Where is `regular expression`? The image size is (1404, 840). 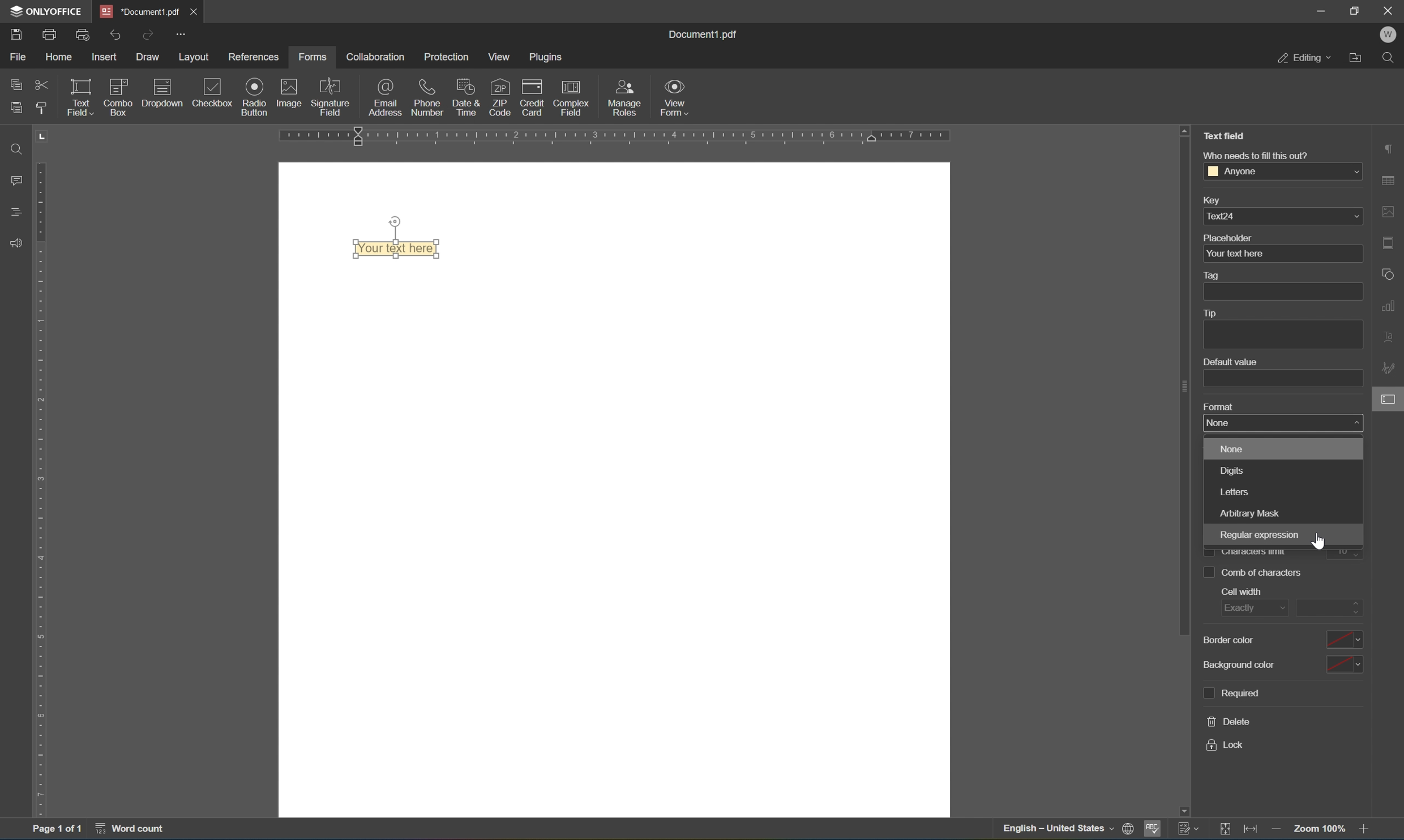 regular expression is located at coordinates (1282, 537).